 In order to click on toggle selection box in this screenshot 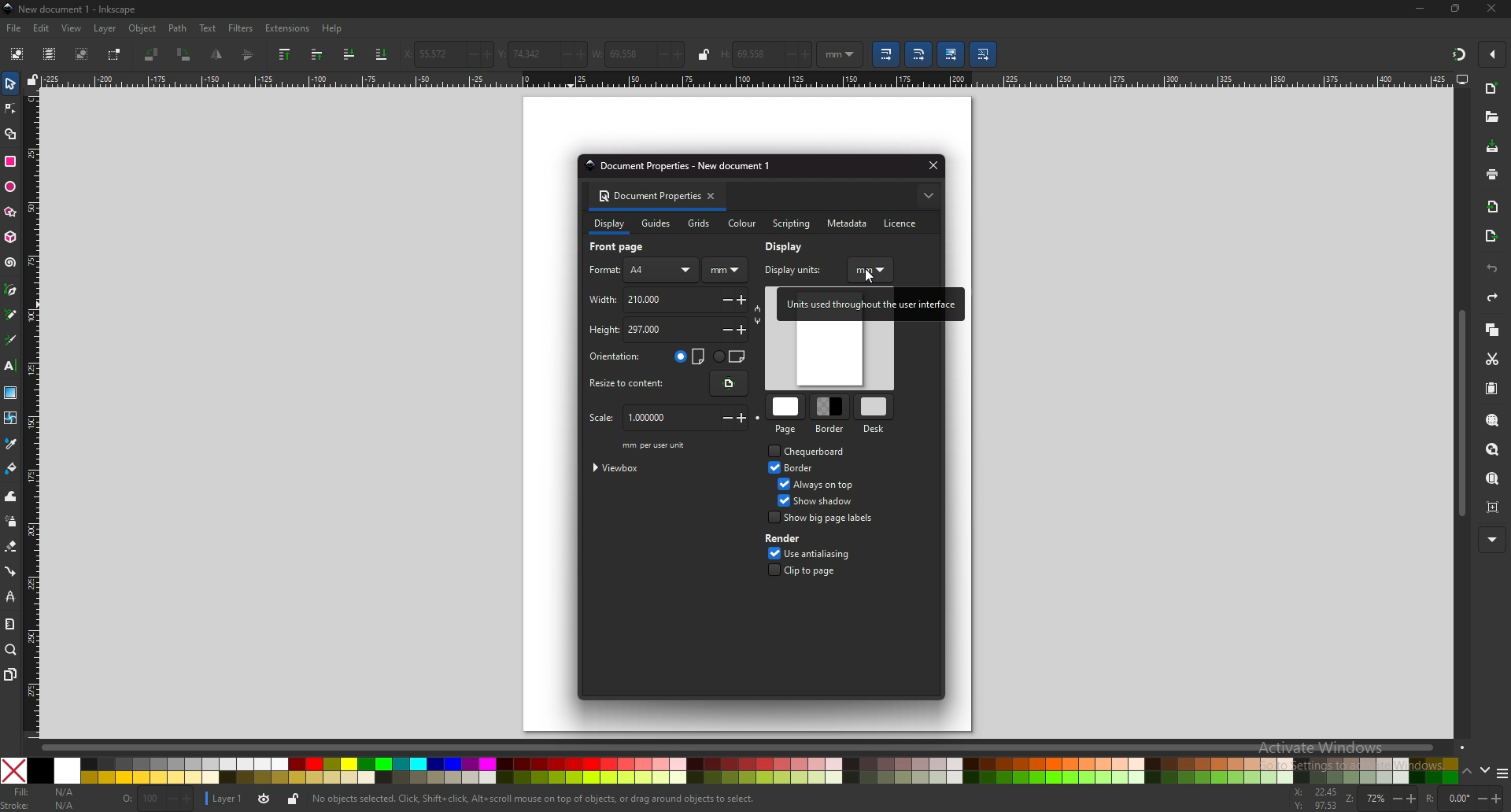, I will do `click(115, 54)`.